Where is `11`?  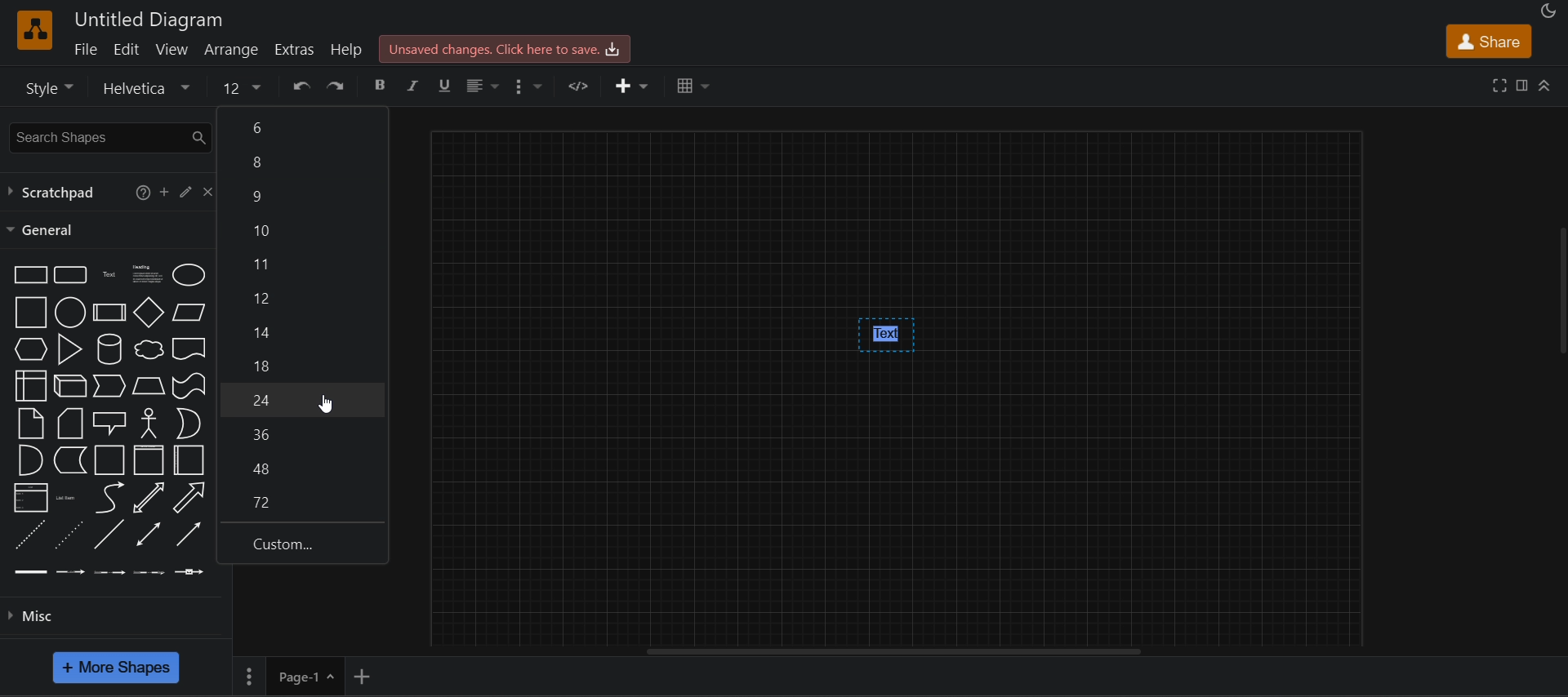 11 is located at coordinates (302, 264).